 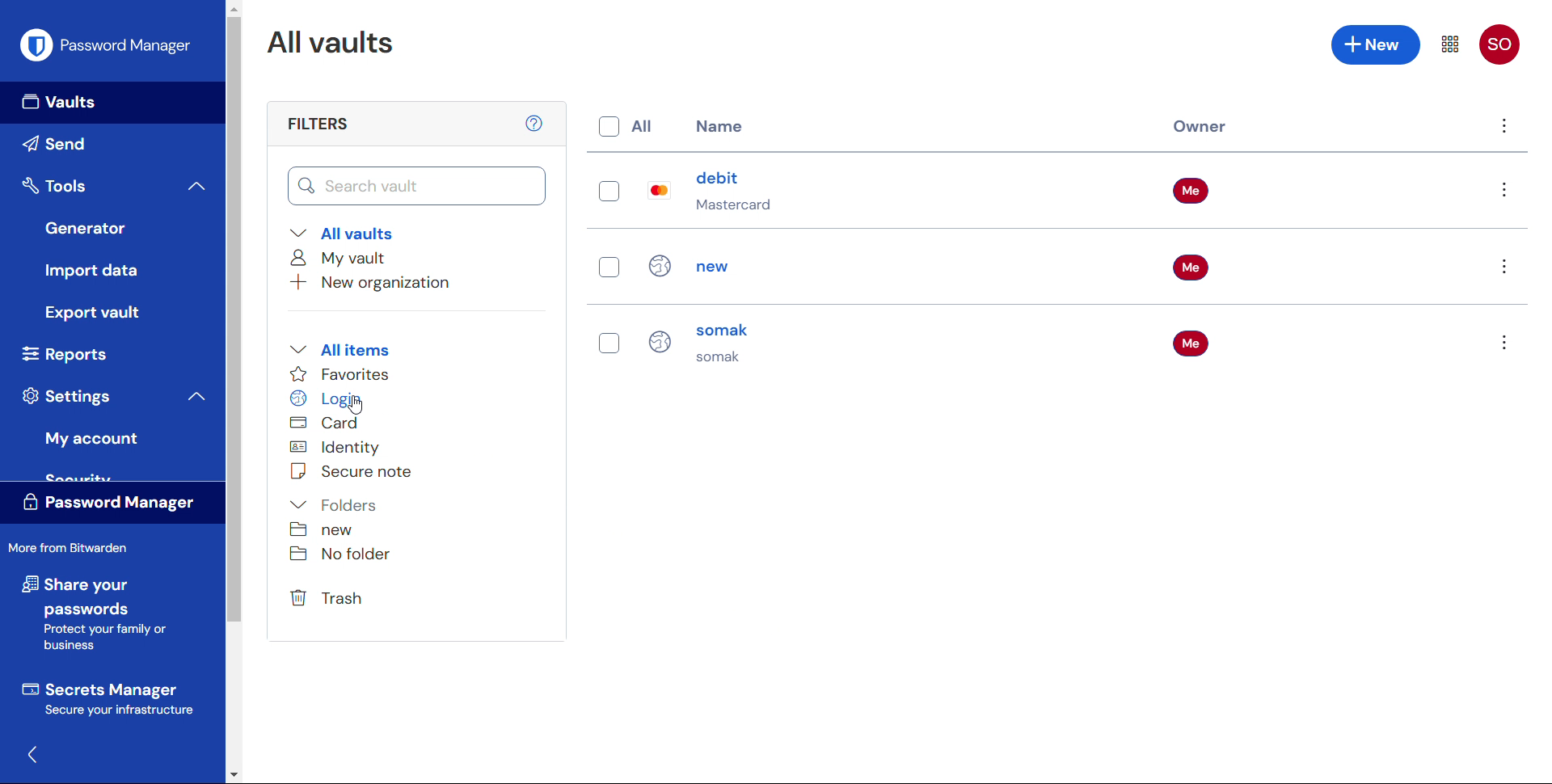 What do you see at coordinates (1503, 267) in the screenshot?
I see `Options` at bounding box center [1503, 267].